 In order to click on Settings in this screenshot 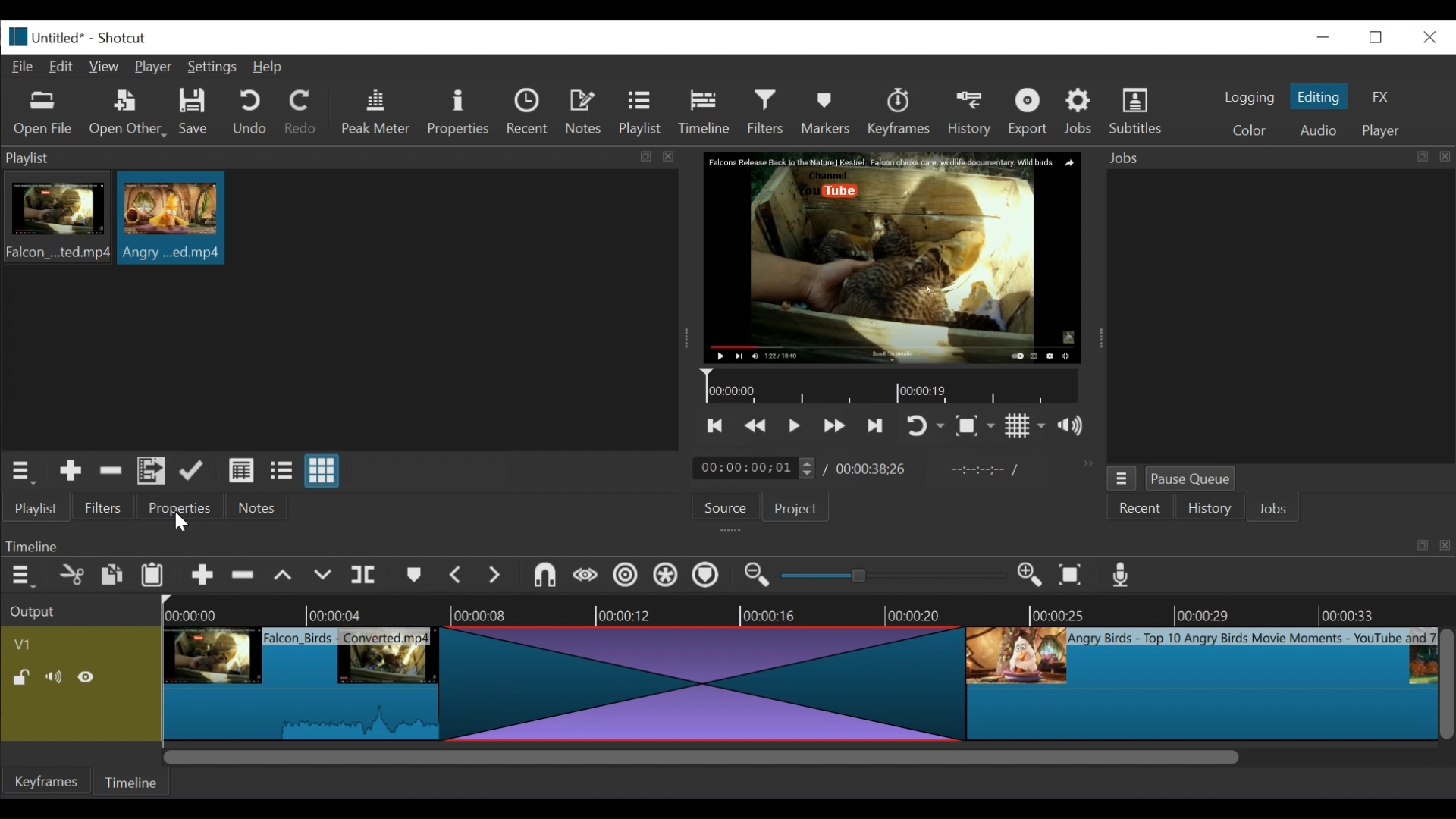, I will do `click(215, 69)`.